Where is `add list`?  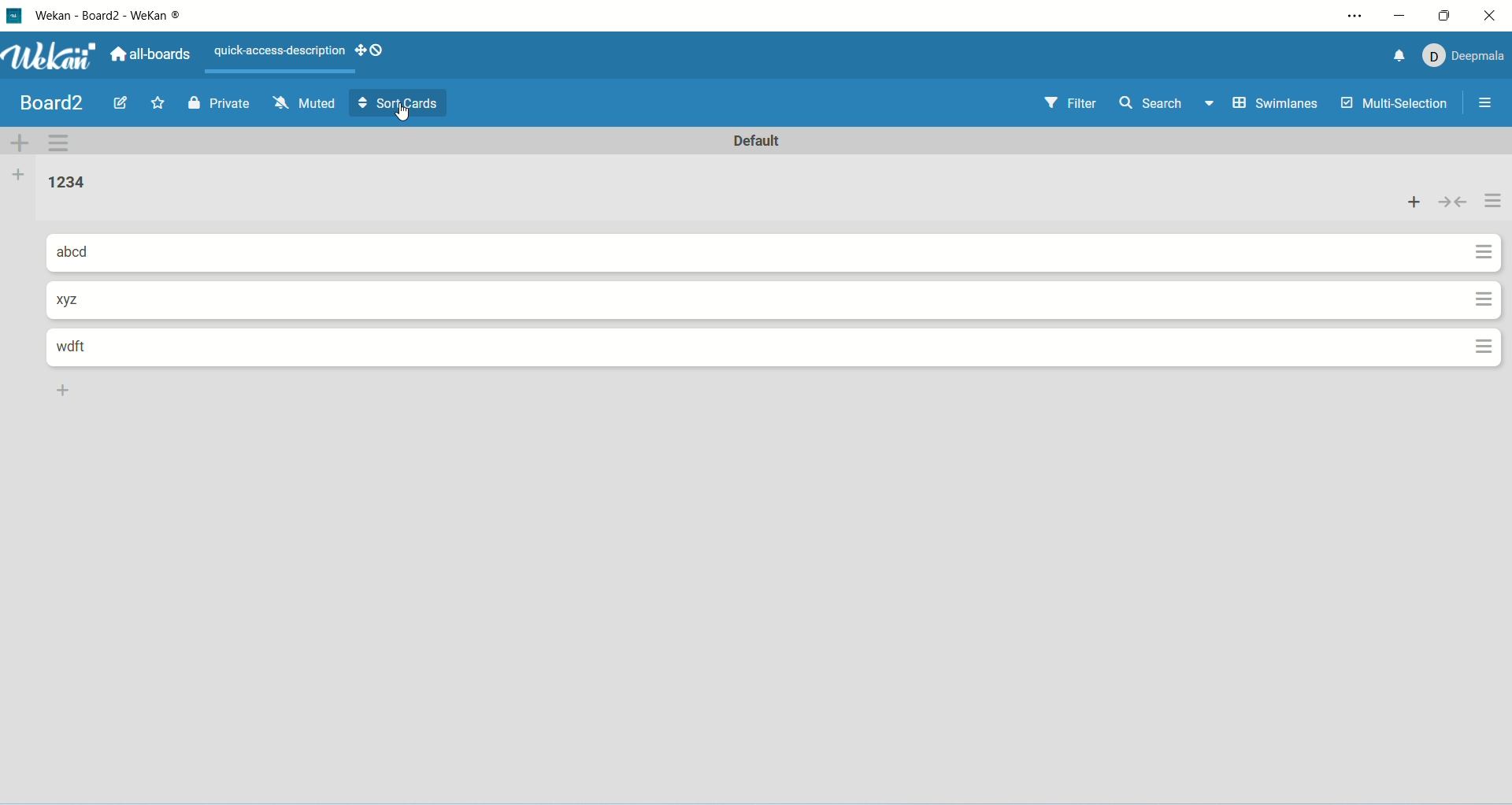 add list is located at coordinates (67, 393).